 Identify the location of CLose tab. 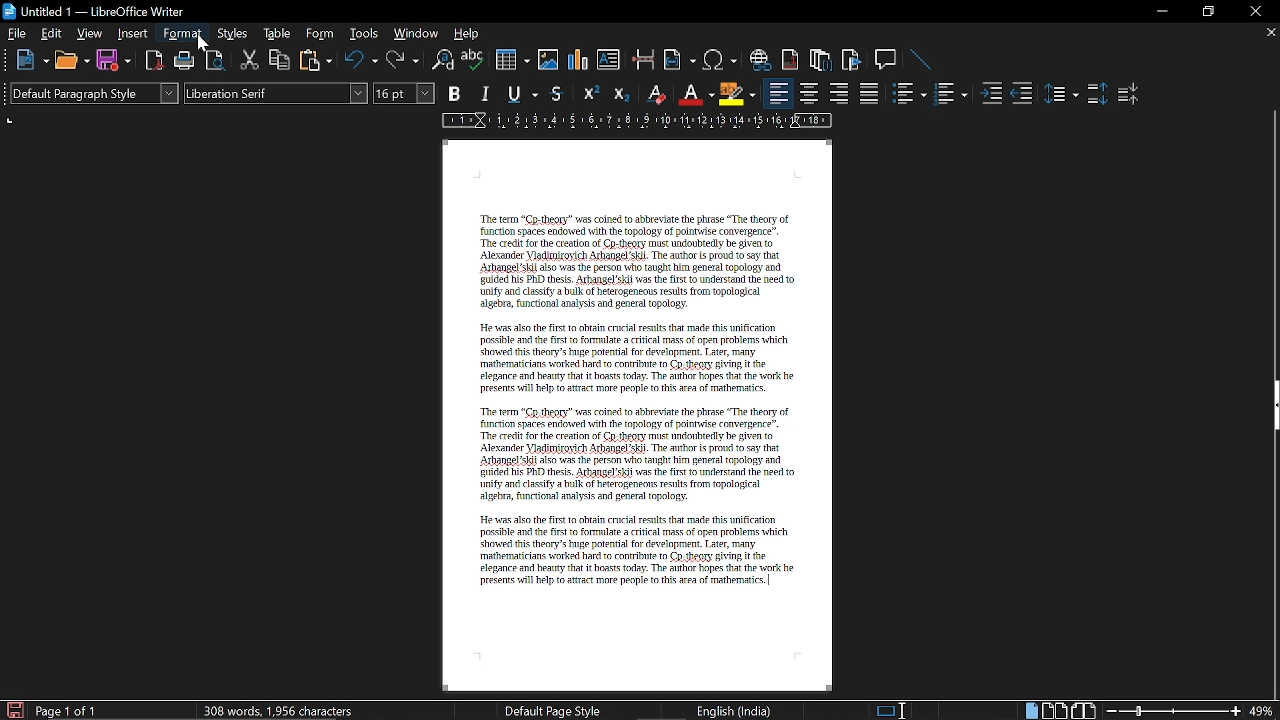
(1270, 32).